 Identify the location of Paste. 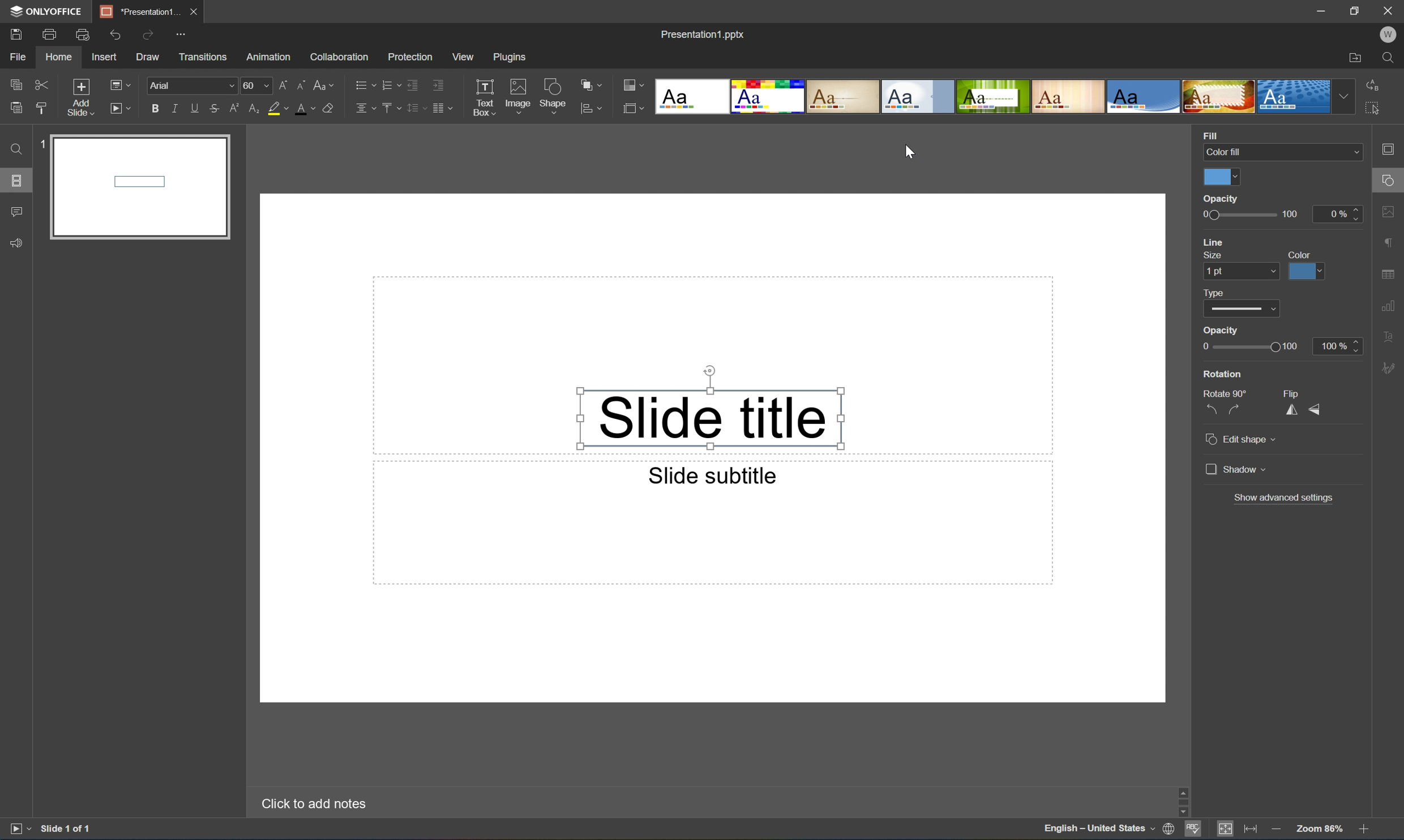
(16, 109).